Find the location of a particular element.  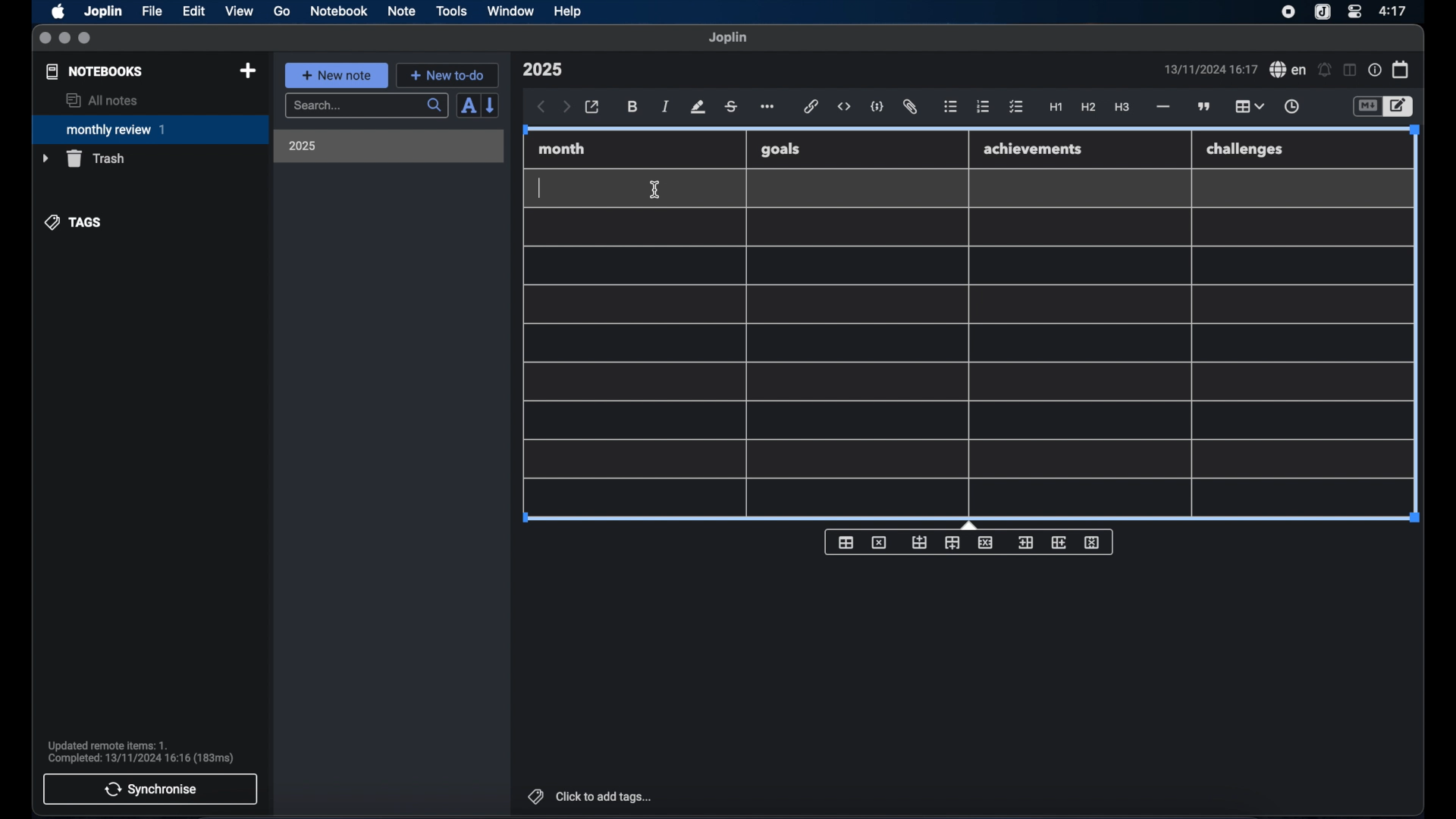

synchronise is located at coordinates (150, 789).